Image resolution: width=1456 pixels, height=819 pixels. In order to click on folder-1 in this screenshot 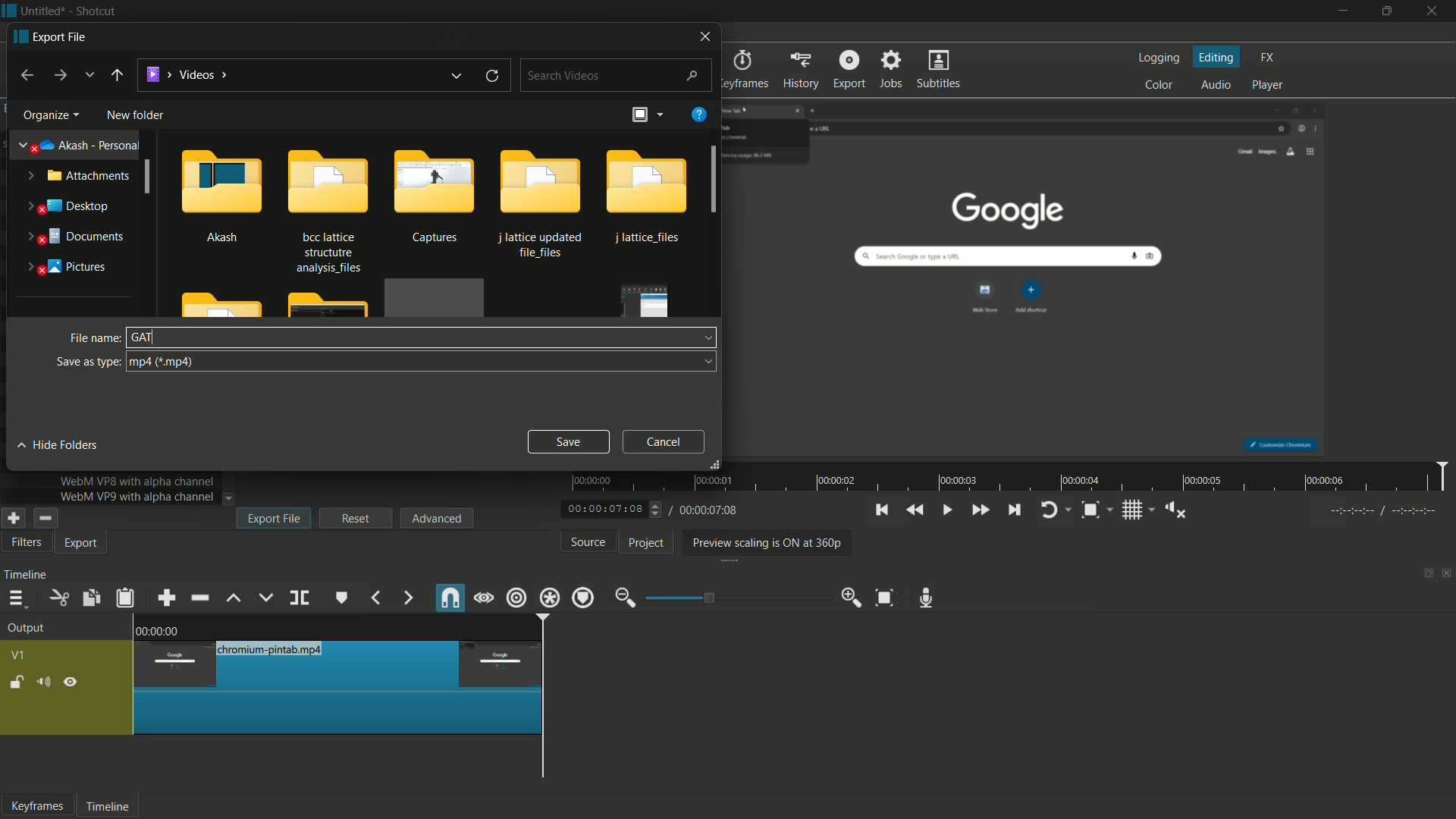, I will do `click(648, 199)`.